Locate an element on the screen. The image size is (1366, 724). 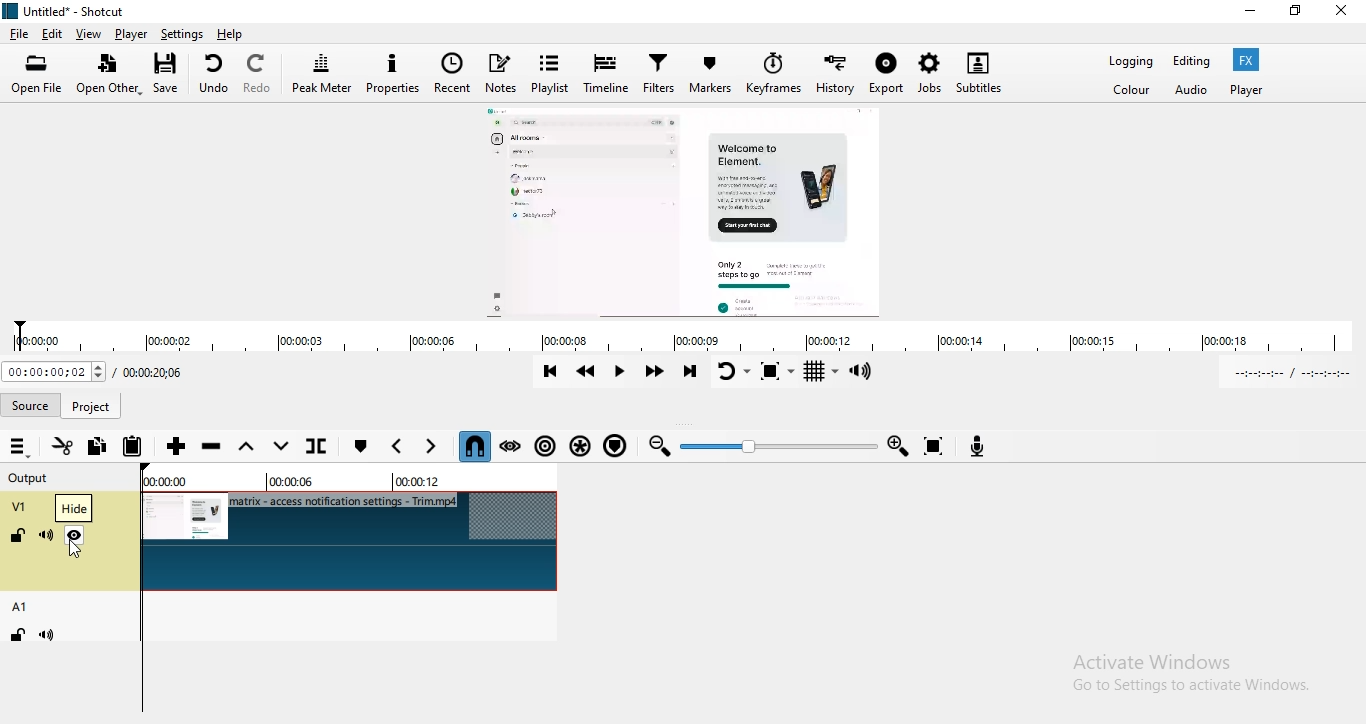
minimise is located at coordinates (1250, 14).